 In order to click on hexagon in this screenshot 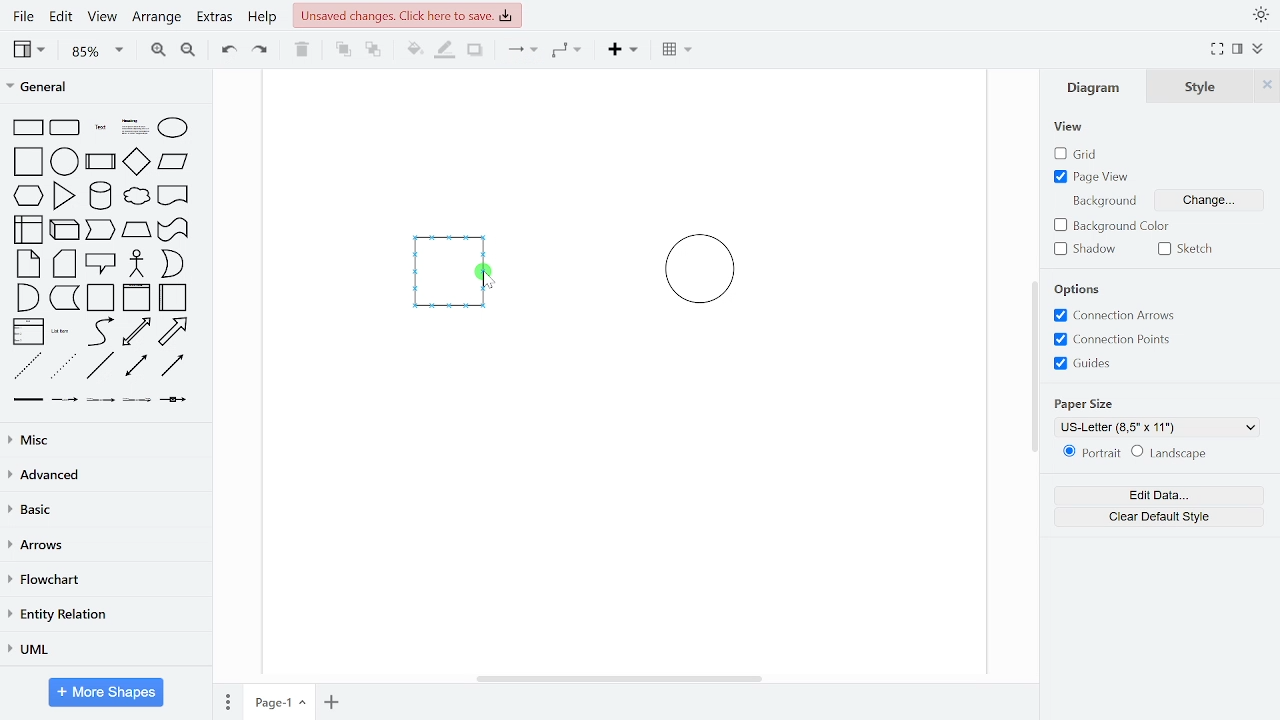, I will do `click(32, 197)`.